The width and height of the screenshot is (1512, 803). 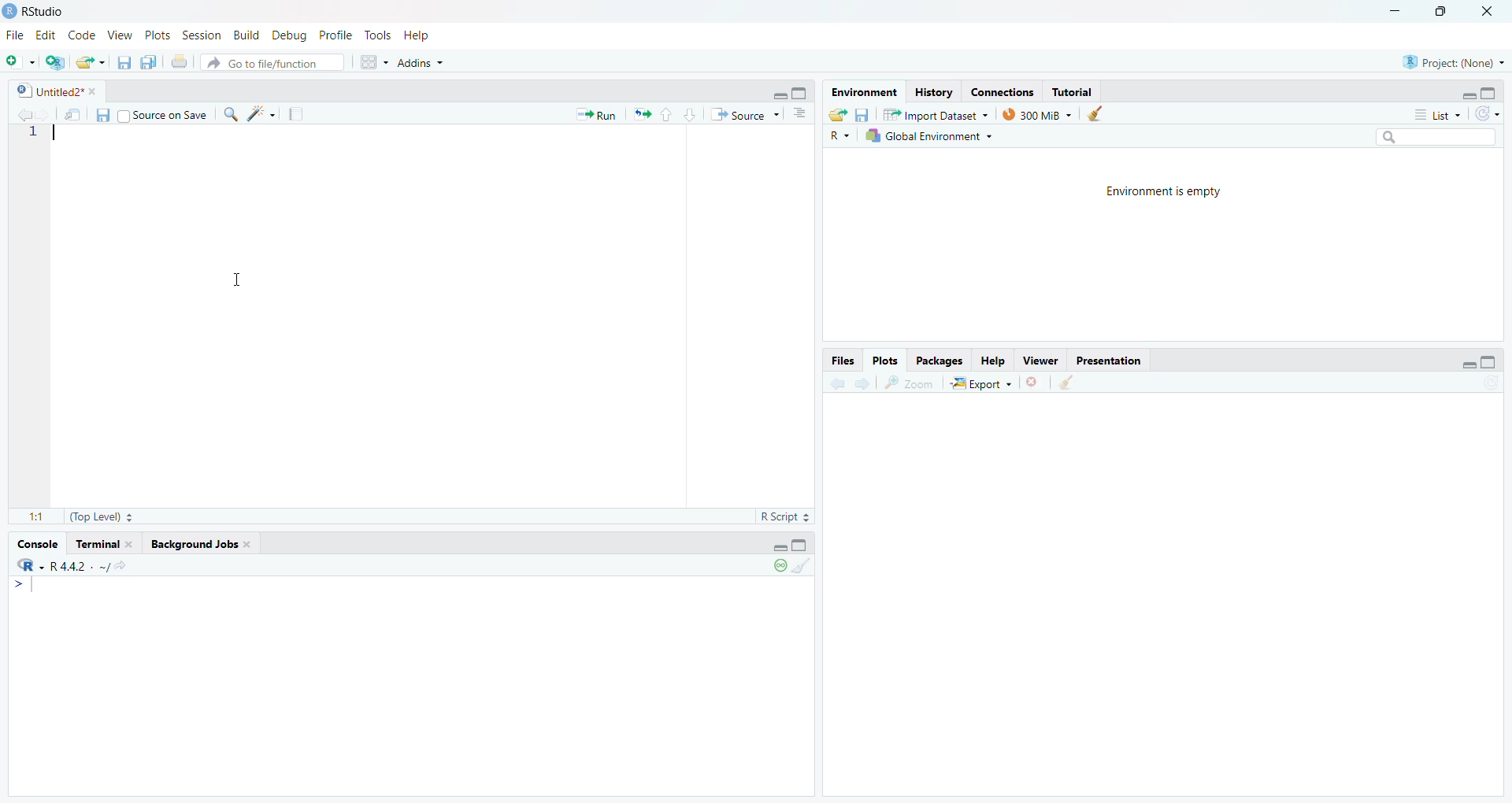 I want to click on console, so click(x=39, y=547).